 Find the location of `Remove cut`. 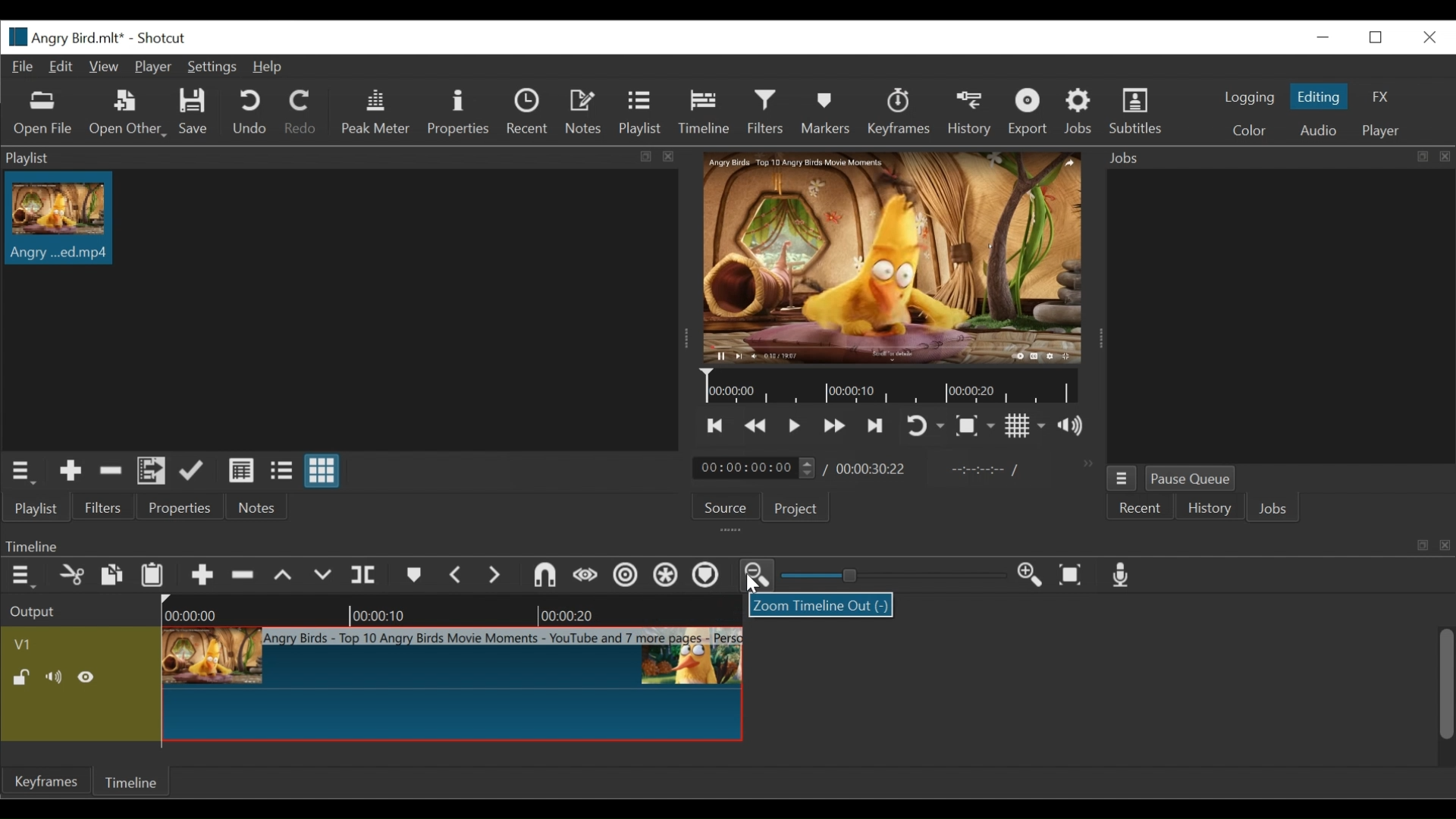

Remove cut is located at coordinates (108, 471).